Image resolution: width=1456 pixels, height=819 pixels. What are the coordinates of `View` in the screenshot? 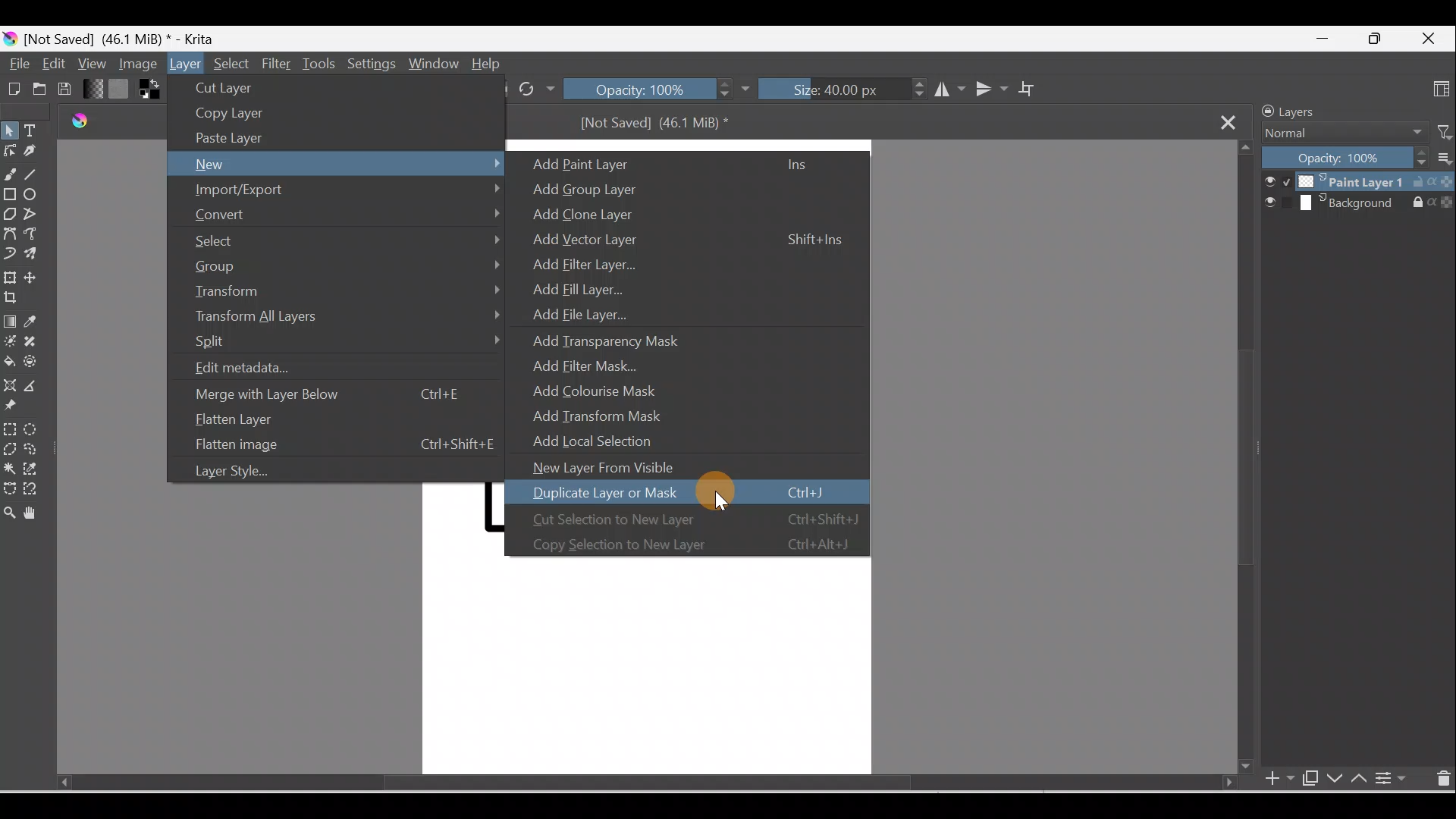 It's located at (91, 62).